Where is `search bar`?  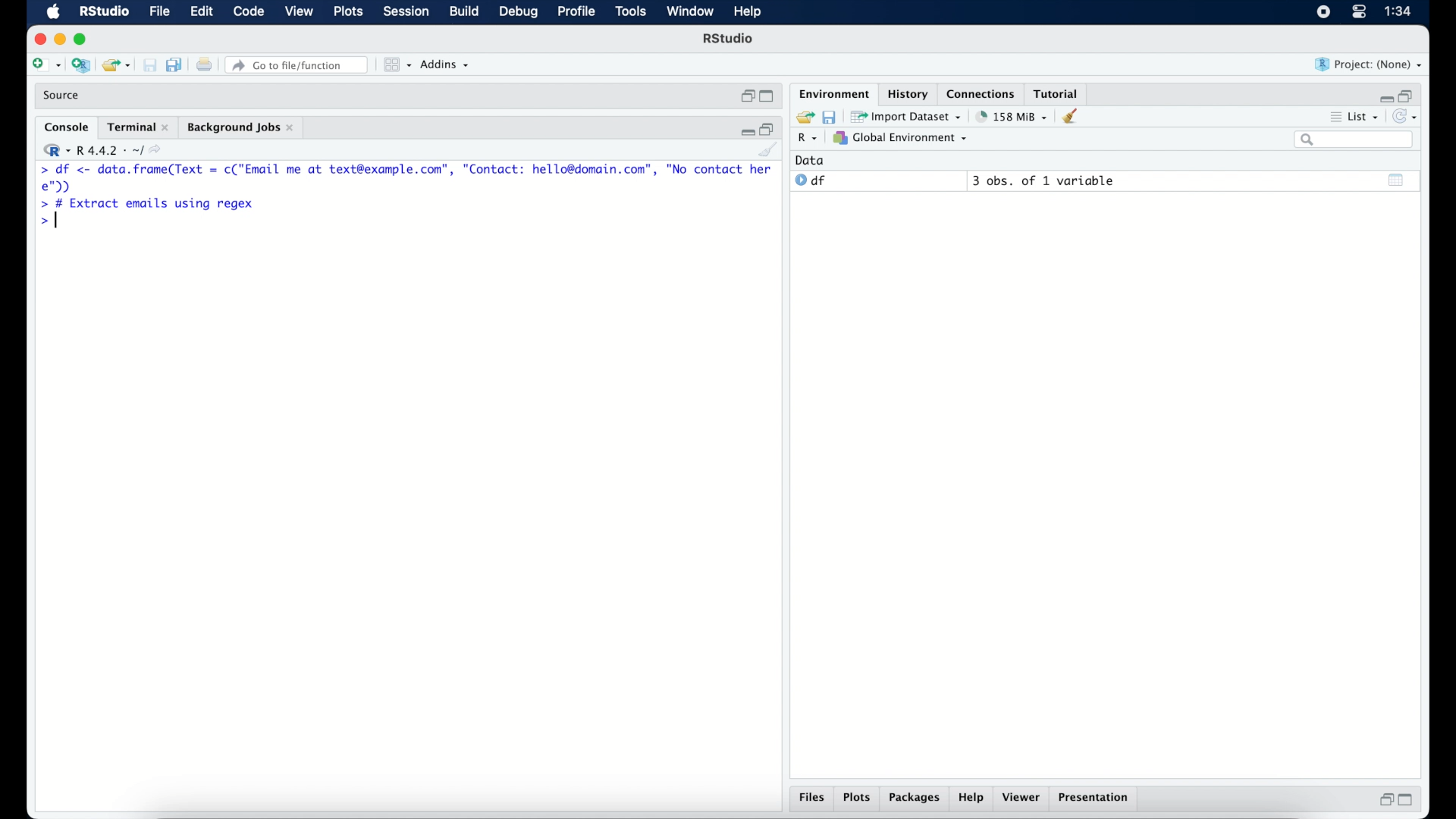
search bar is located at coordinates (1355, 140).